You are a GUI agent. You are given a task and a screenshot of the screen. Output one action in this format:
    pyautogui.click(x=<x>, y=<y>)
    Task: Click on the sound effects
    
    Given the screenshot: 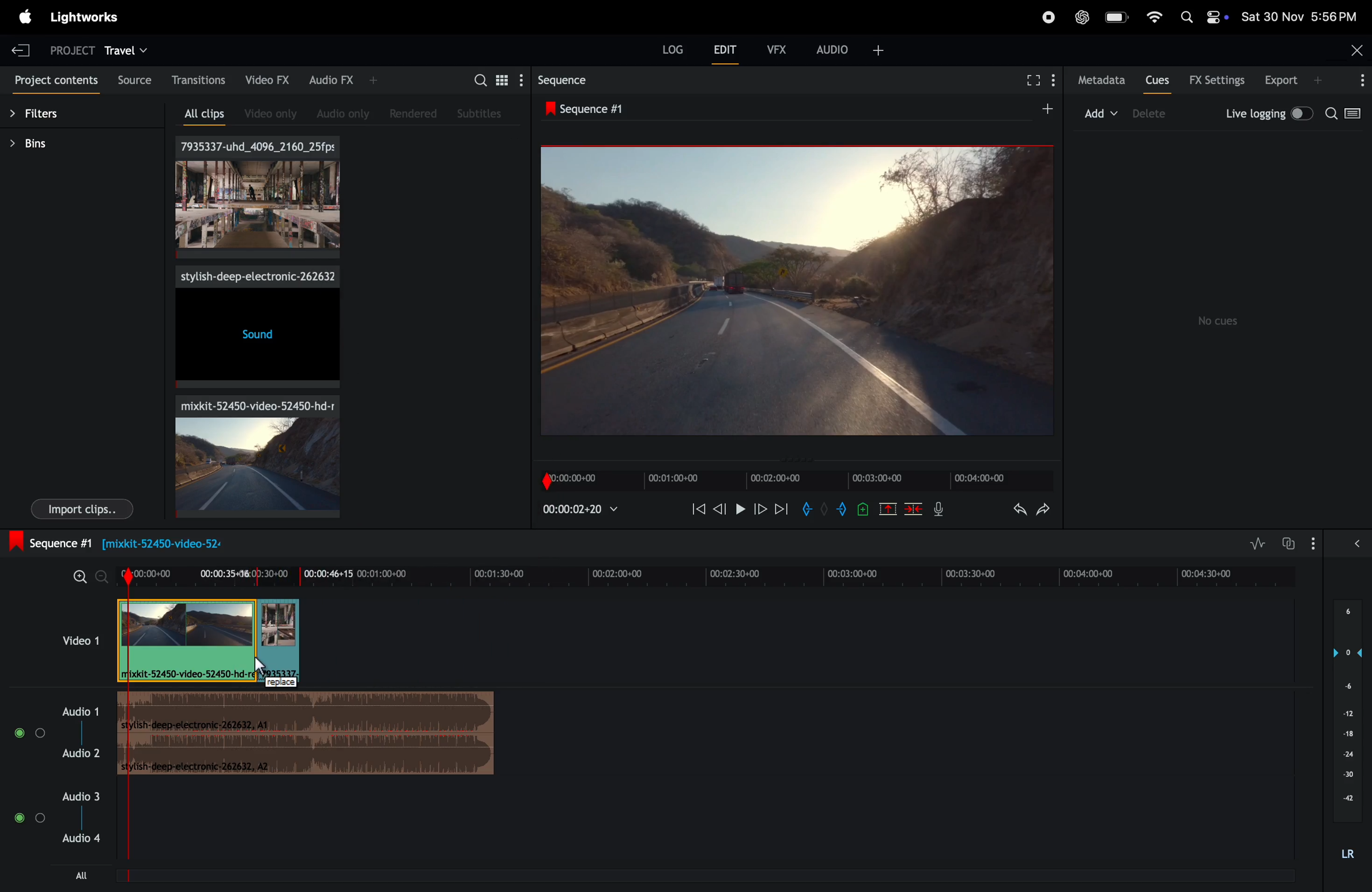 What is the action you would take?
    pyautogui.click(x=256, y=327)
    